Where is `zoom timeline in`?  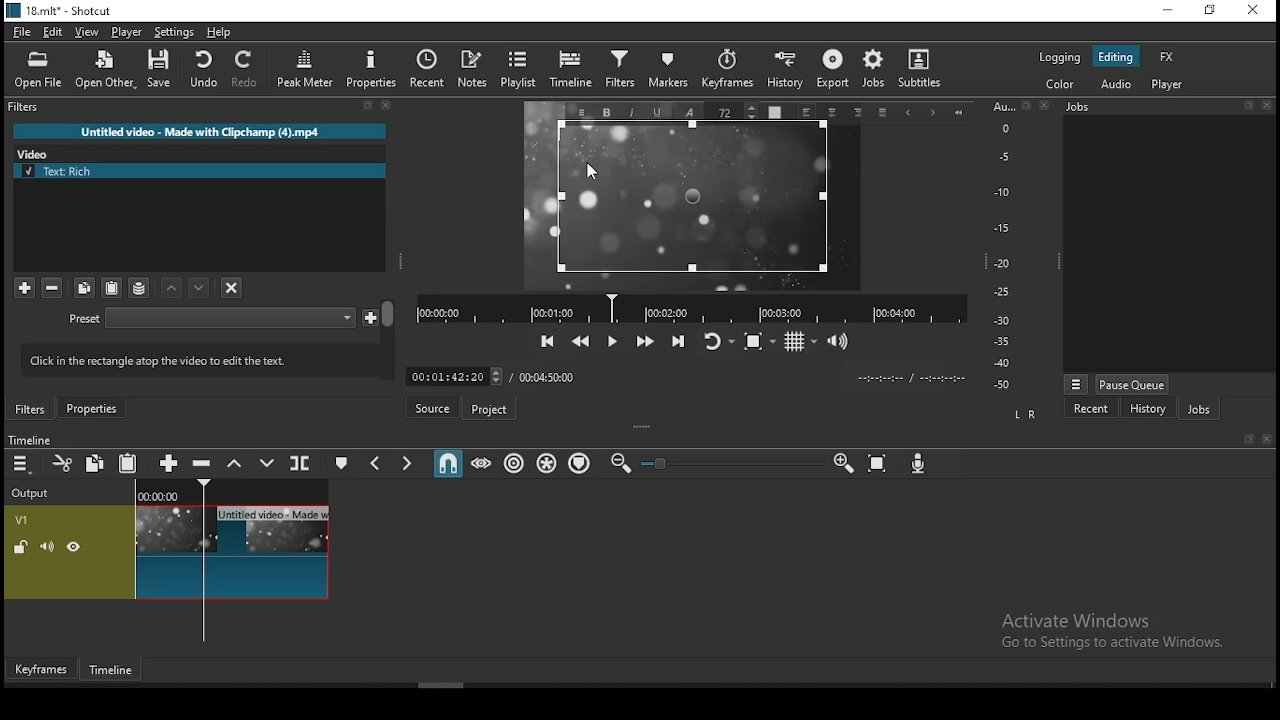
zoom timeline in is located at coordinates (842, 462).